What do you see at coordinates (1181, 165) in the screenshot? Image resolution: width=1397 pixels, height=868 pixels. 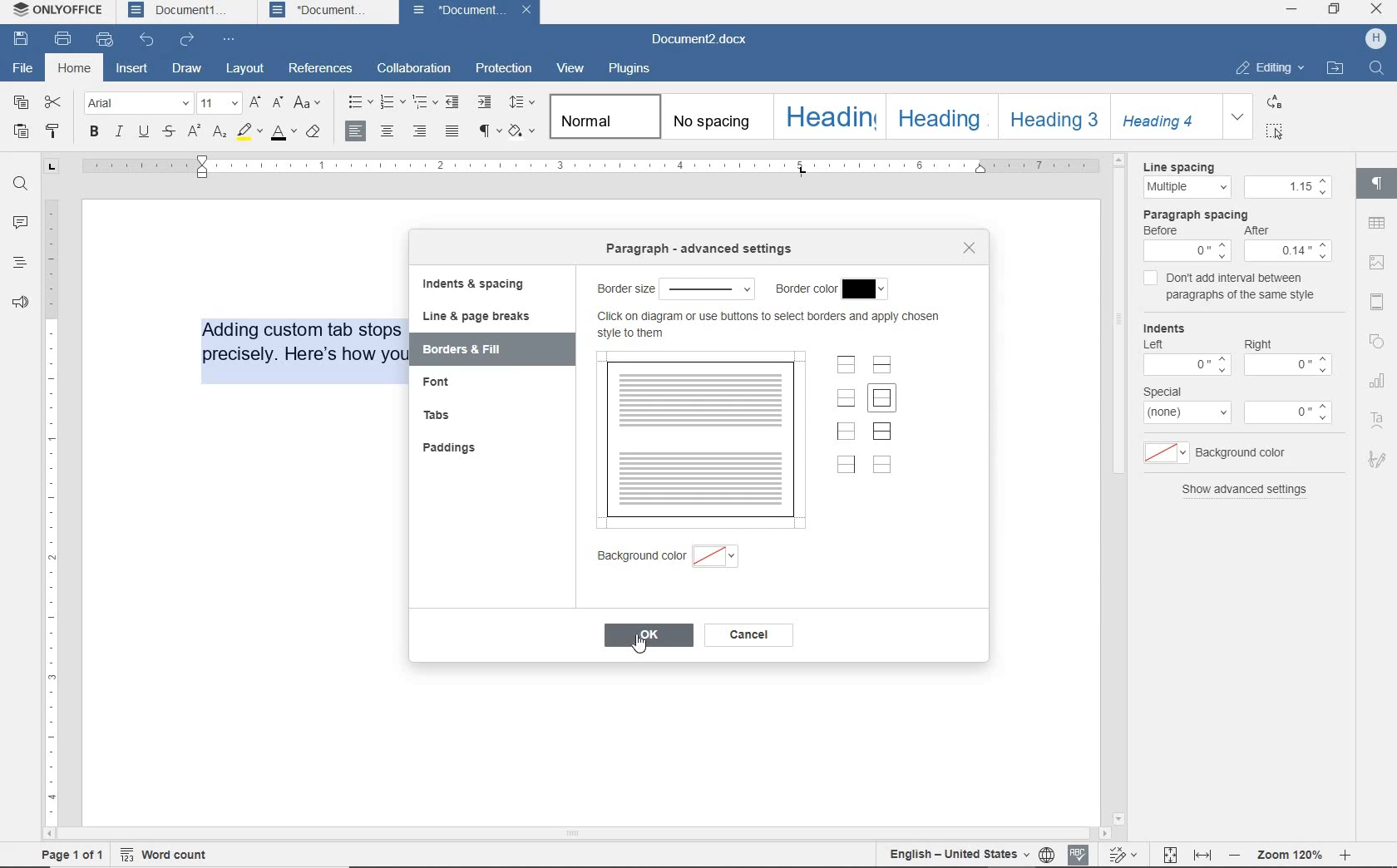 I see `Line spacing` at bounding box center [1181, 165].